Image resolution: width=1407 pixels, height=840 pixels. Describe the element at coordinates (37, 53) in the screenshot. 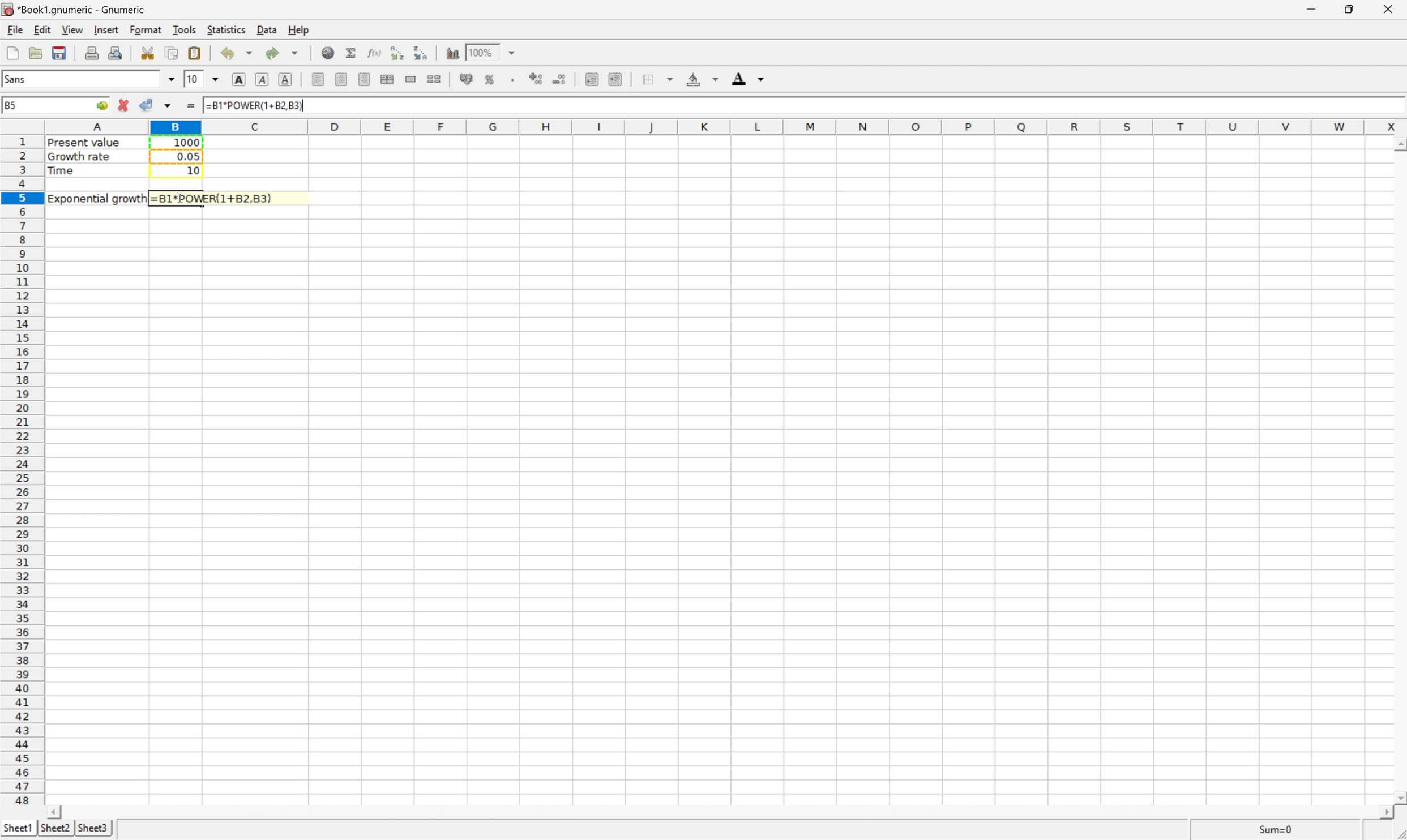

I see `Open a file` at that location.